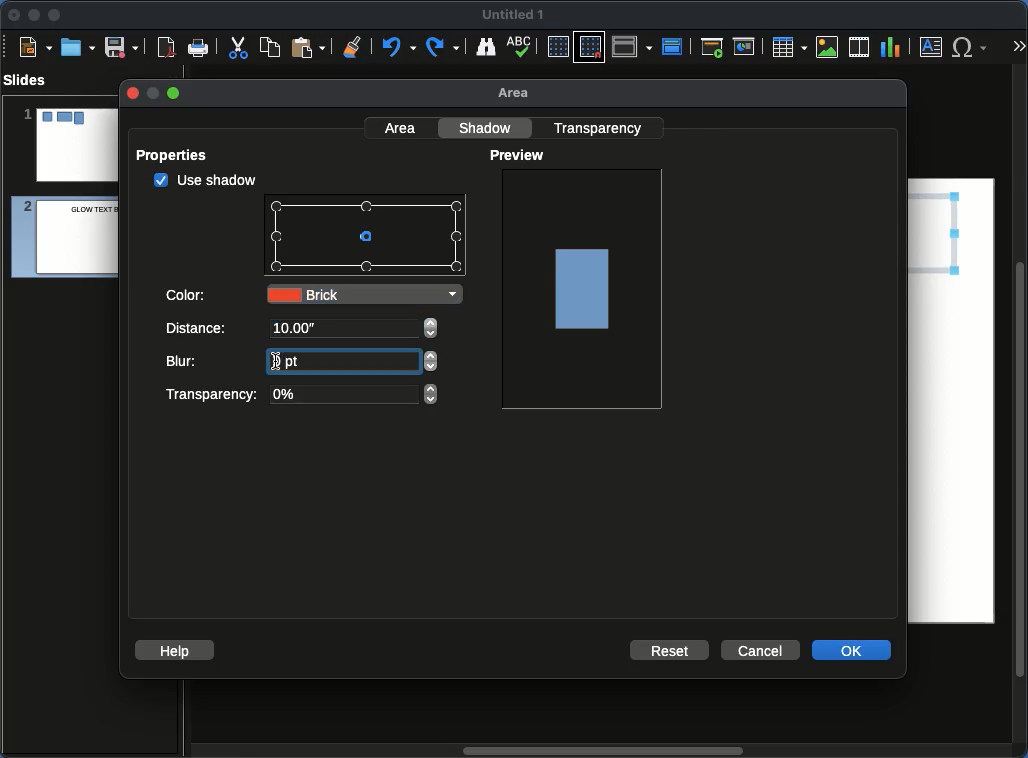 The height and width of the screenshot is (758, 1028). What do you see at coordinates (853, 649) in the screenshot?
I see `OK` at bounding box center [853, 649].